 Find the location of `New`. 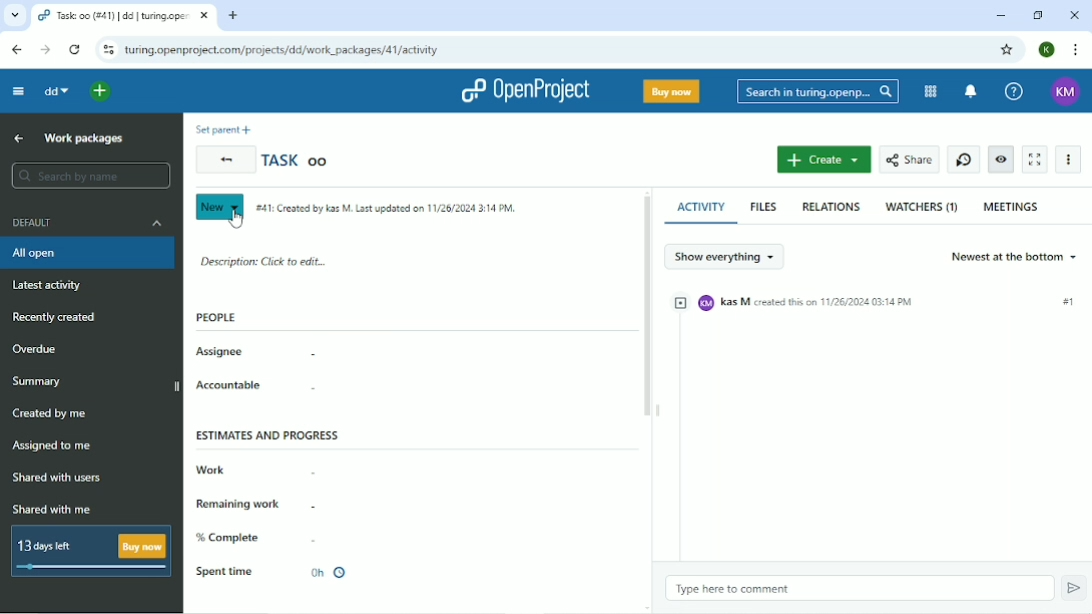

New is located at coordinates (220, 210).